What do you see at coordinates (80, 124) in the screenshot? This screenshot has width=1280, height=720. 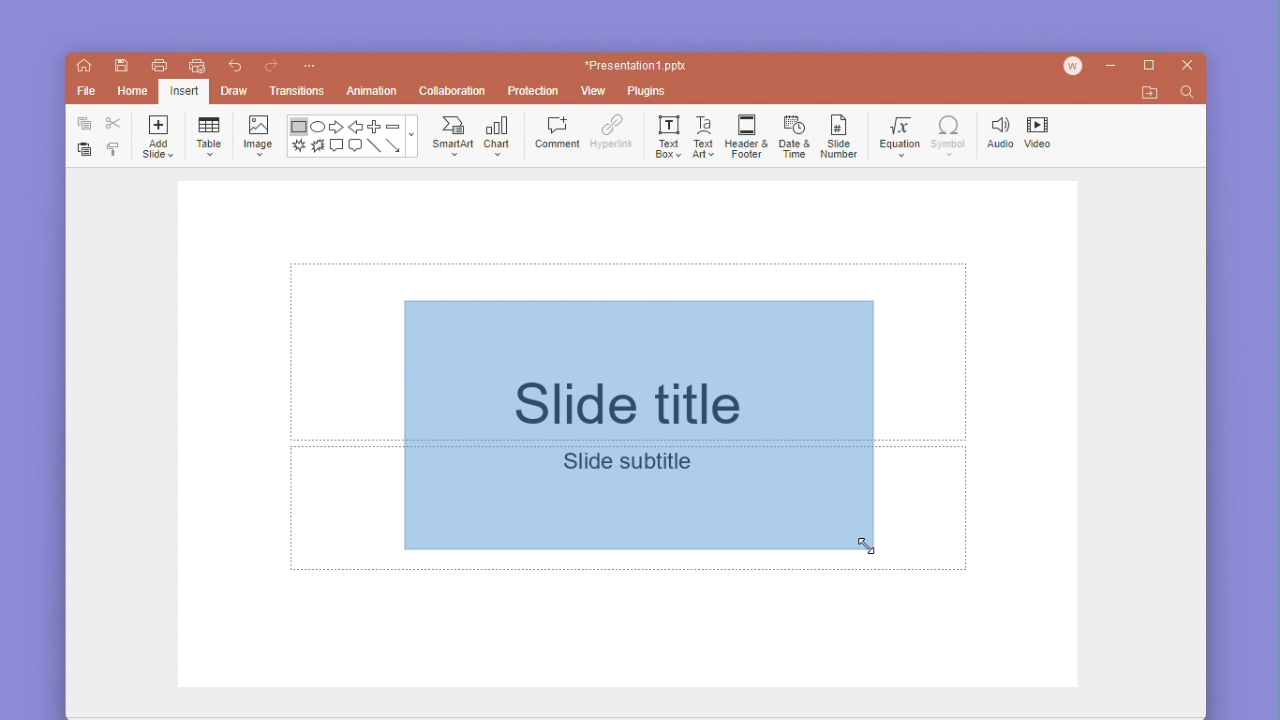 I see `copy` at bounding box center [80, 124].